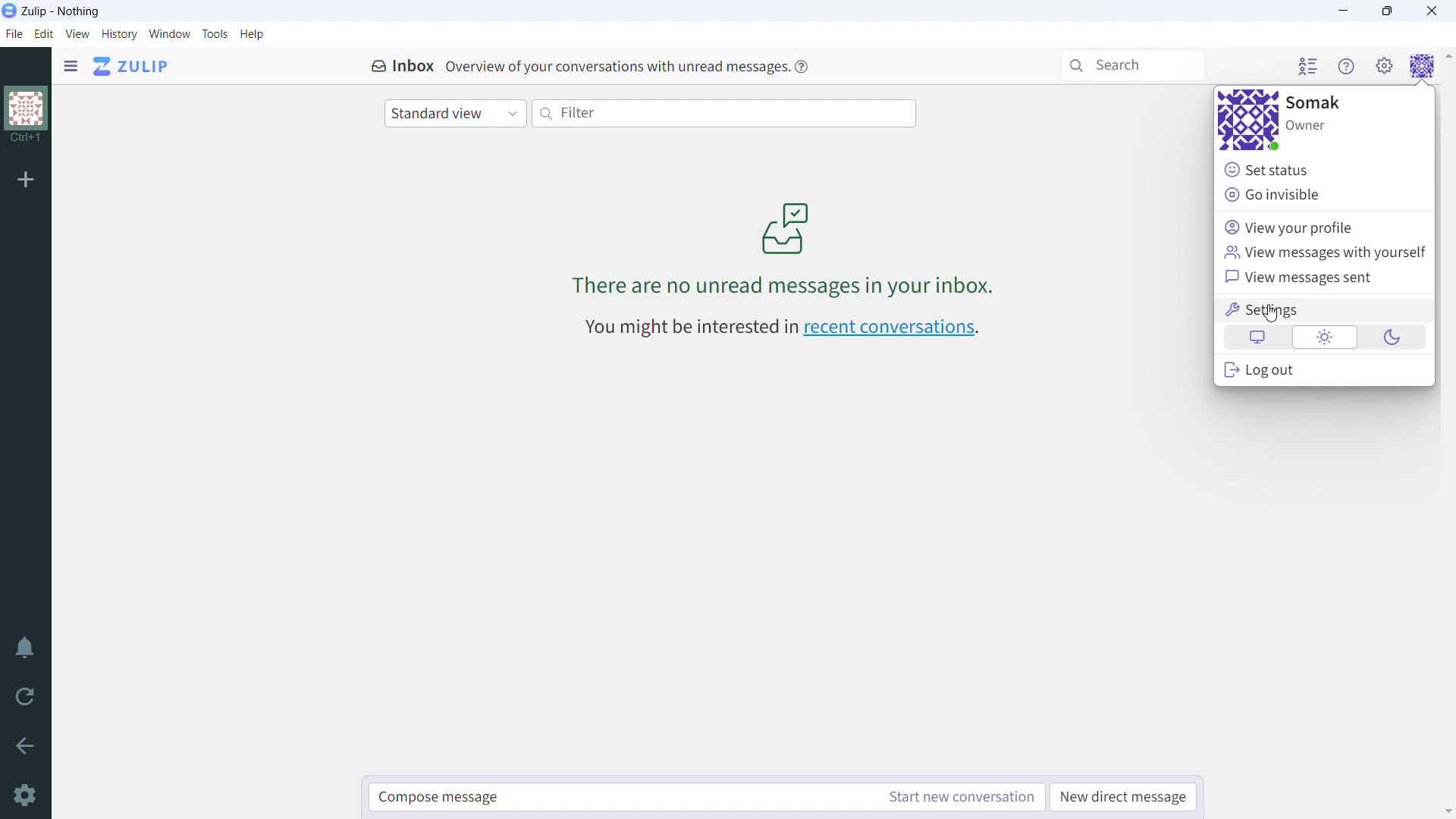 The image size is (1456, 819). What do you see at coordinates (1385, 67) in the screenshot?
I see `main menu` at bounding box center [1385, 67].